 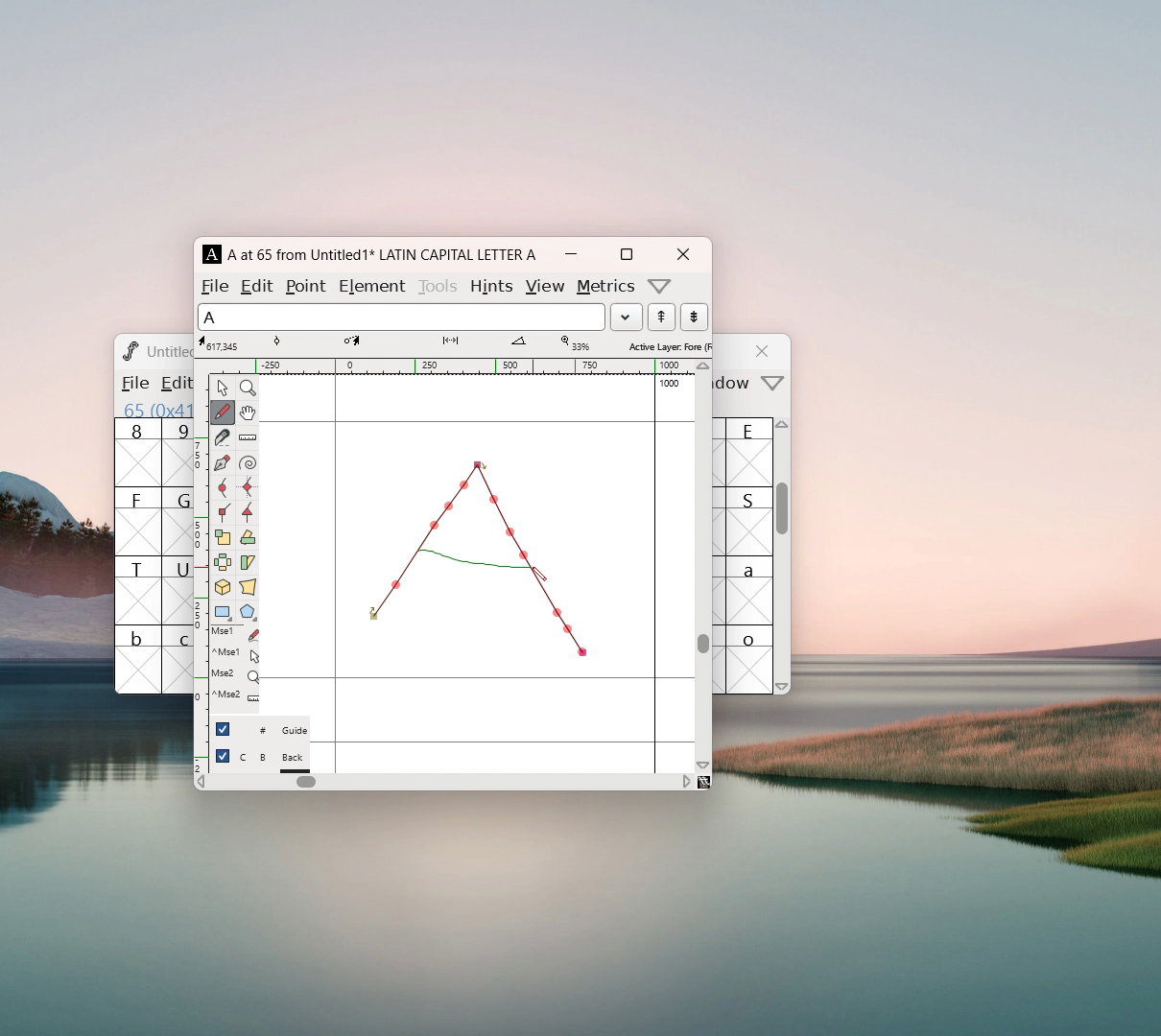 What do you see at coordinates (223, 388) in the screenshot?
I see `pointer` at bounding box center [223, 388].